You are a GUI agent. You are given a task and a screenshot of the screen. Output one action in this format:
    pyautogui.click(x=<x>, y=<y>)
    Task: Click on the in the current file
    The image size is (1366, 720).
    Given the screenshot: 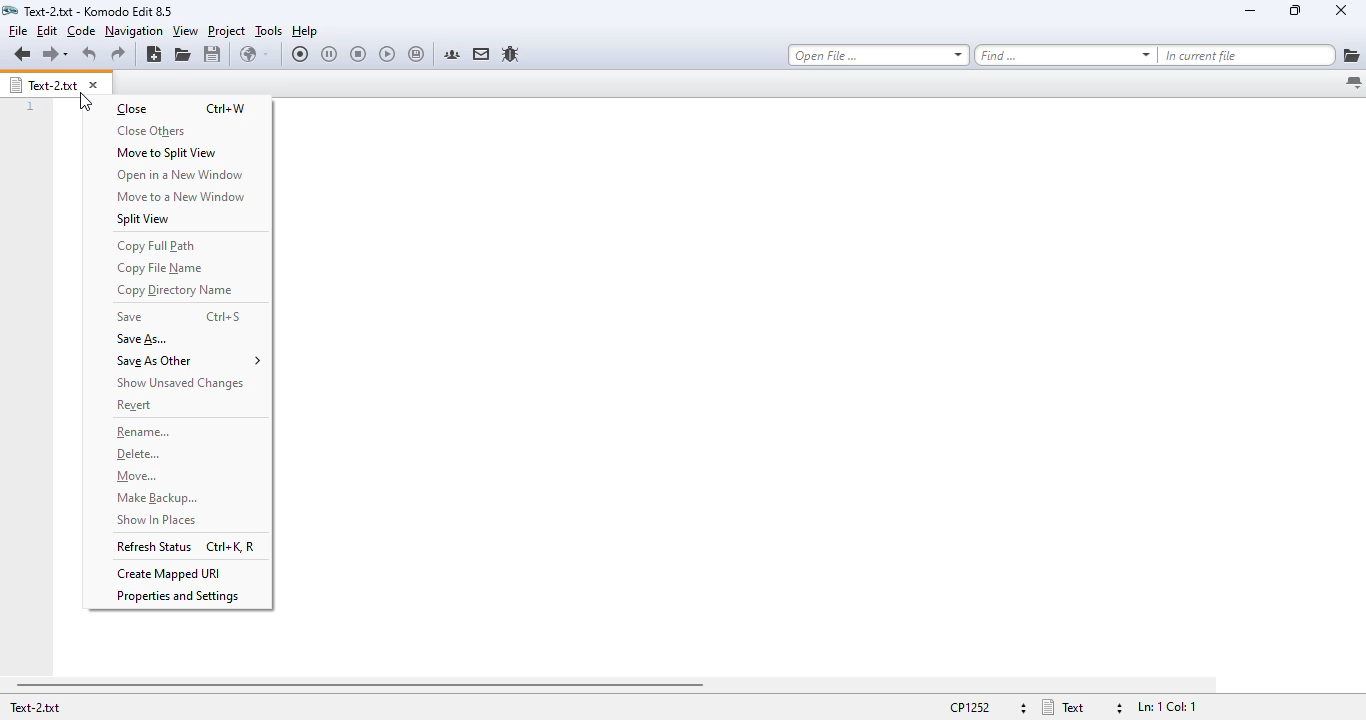 What is the action you would take?
    pyautogui.click(x=1248, y=54)
    